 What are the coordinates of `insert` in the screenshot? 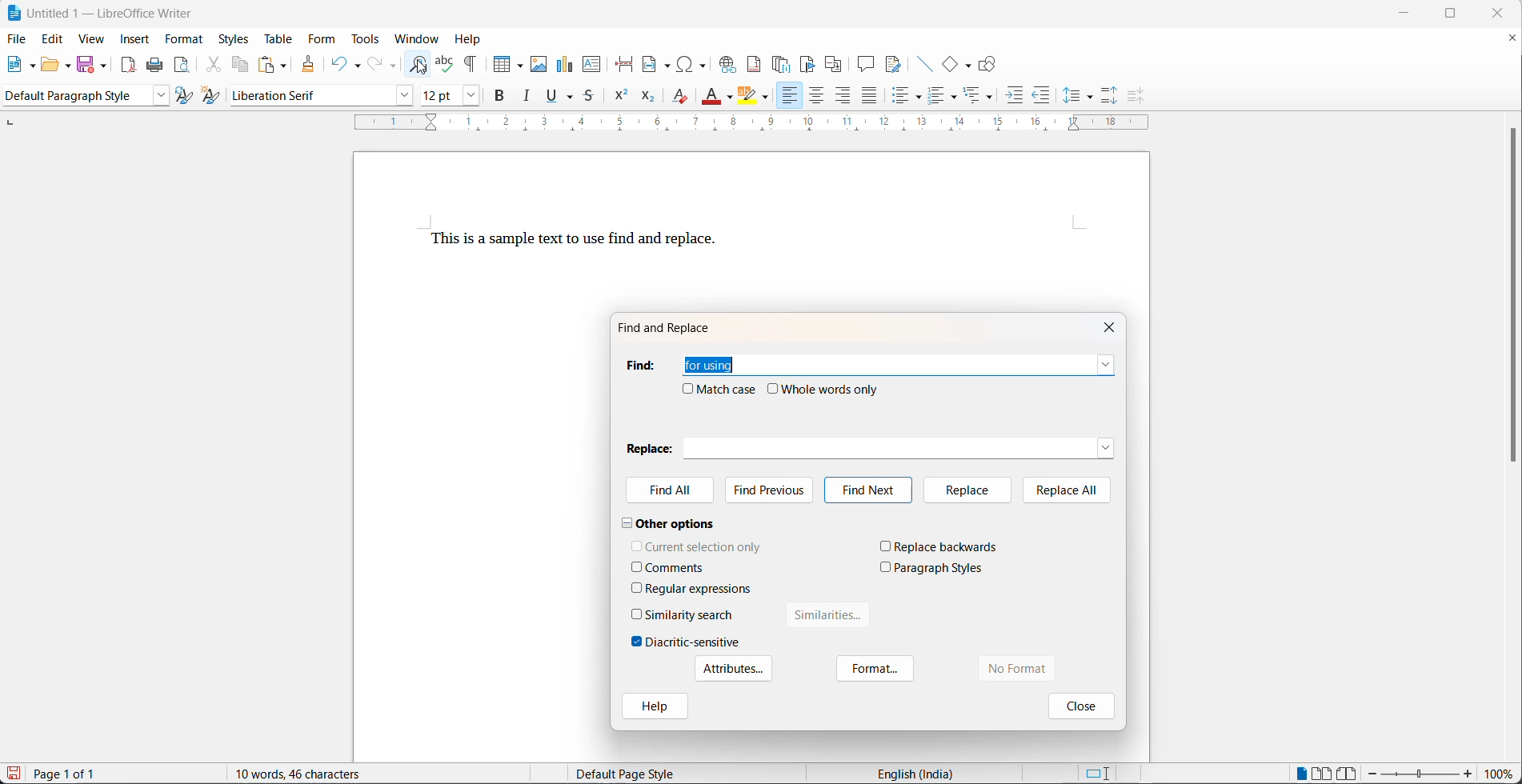 It's located at (135, 38).